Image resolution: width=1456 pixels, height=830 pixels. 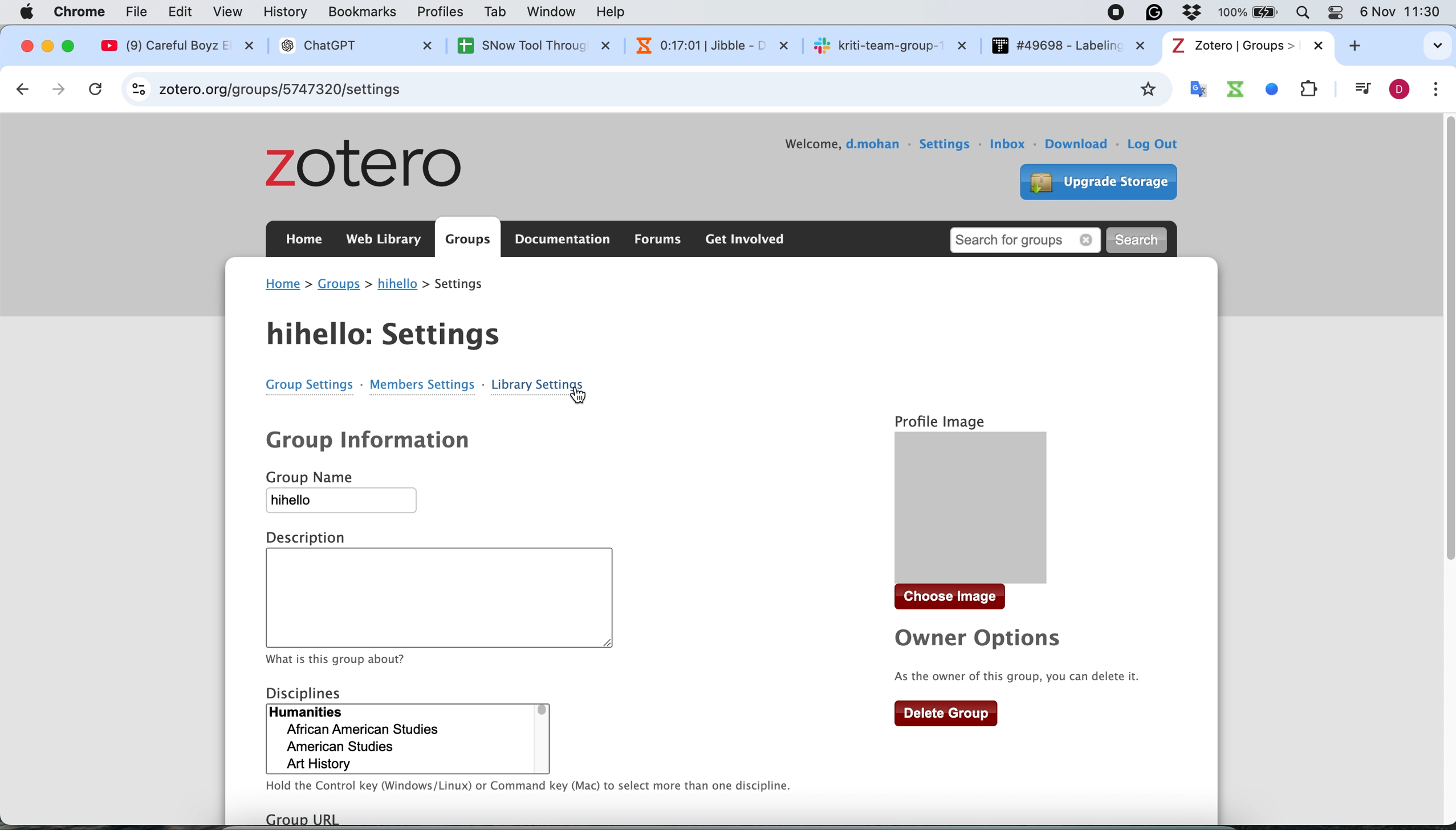 What do you see at coordinates (1359, 89) in the screenshot?
I see `control your music video` at bounding box center [1359, 89].